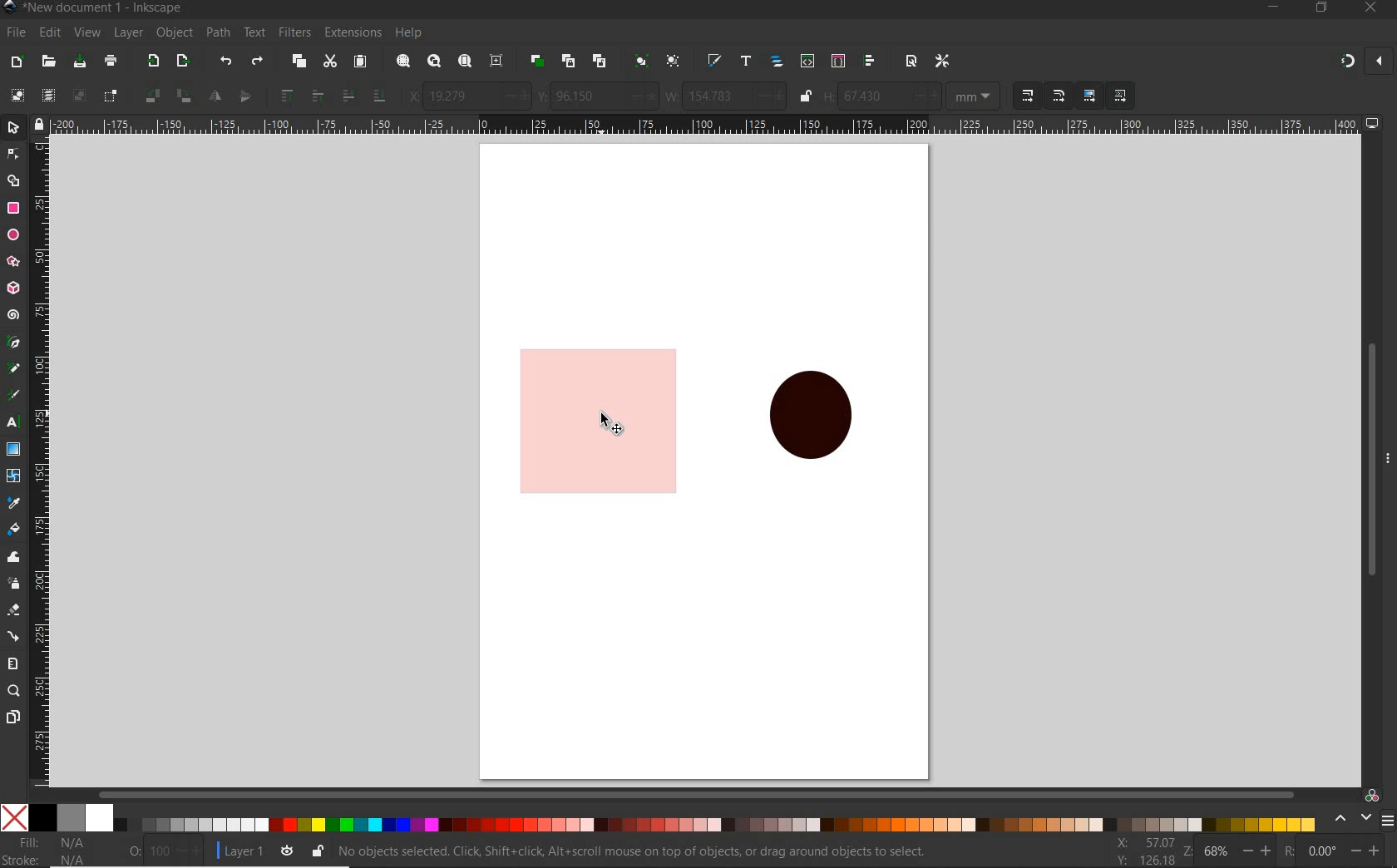  I want to click on extensions, so click(351, 32).